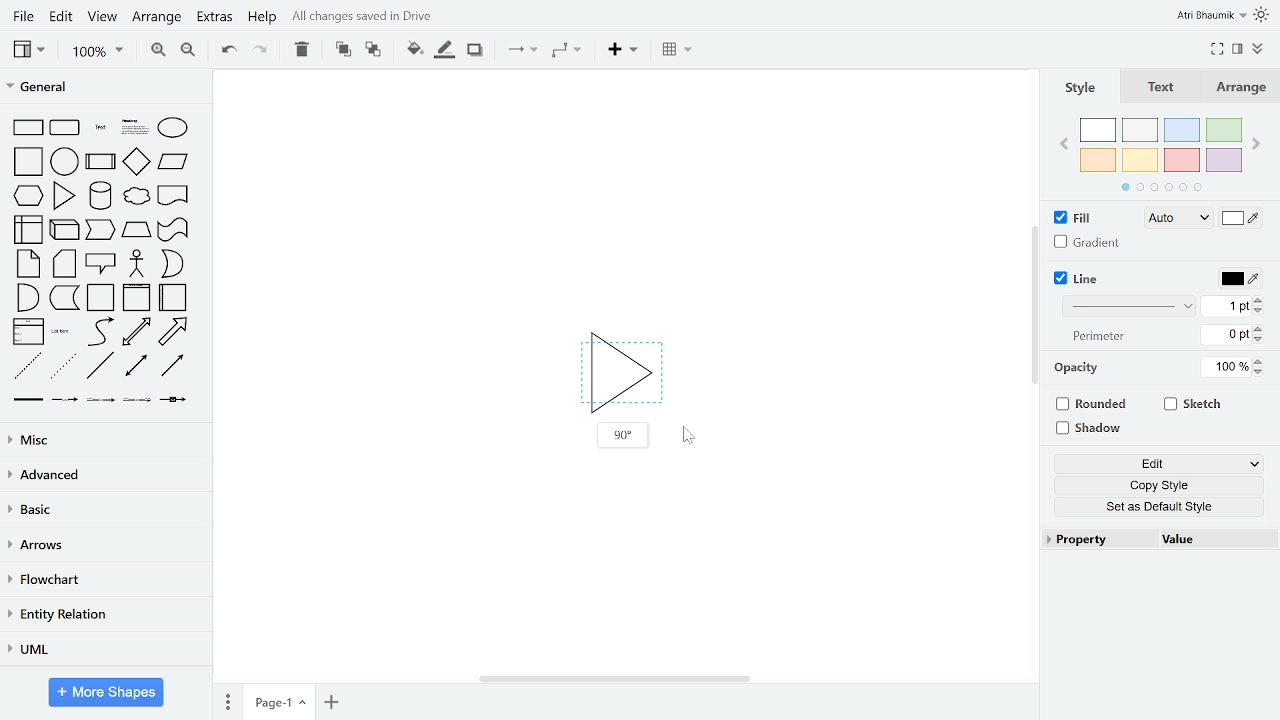 The image size is (1280, 720). What do you see at coordinates (107, 692) in the screenshot?
I see `more shapes` at bounding box center [107, 692].